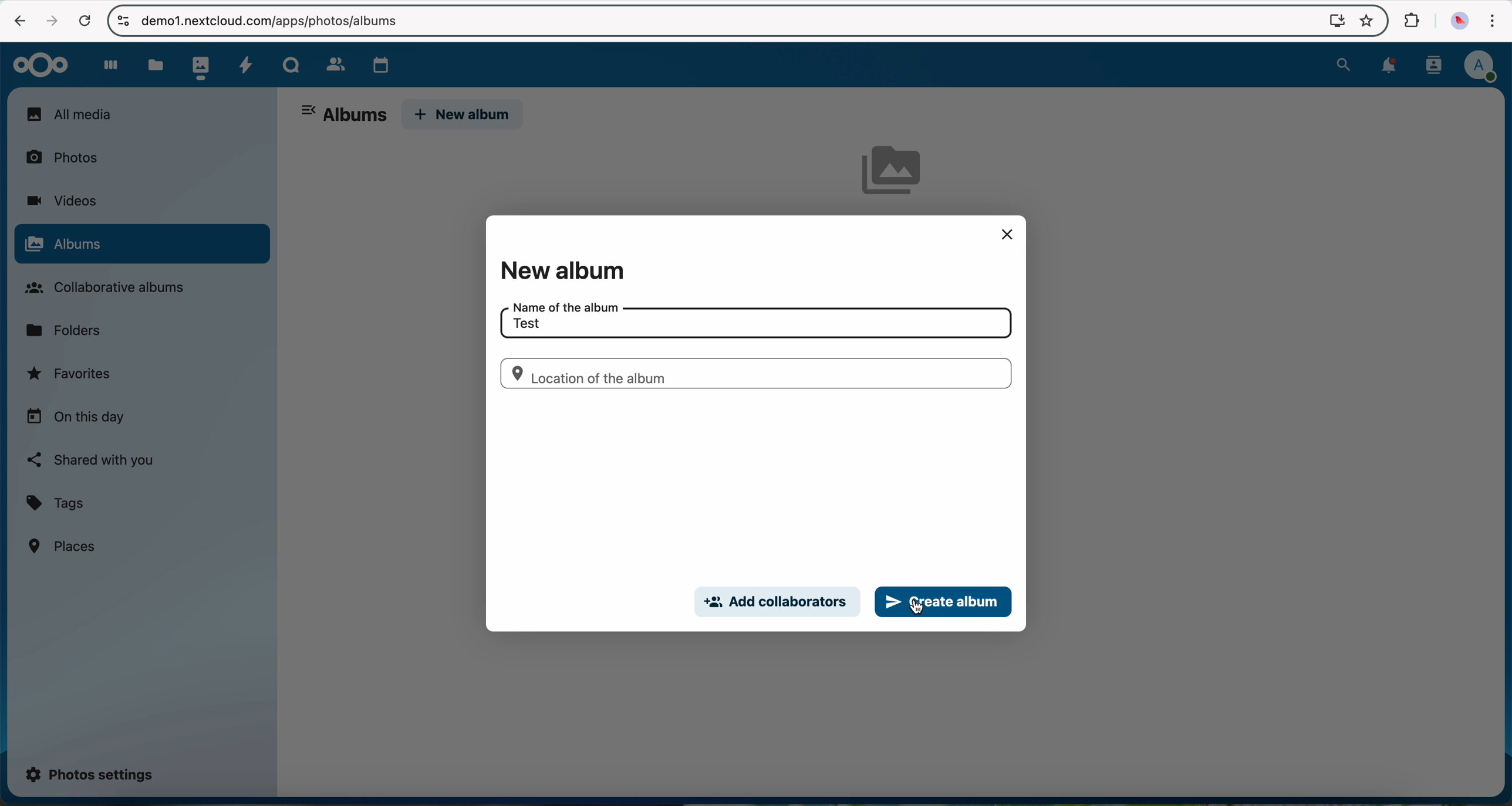  What do you see at coordinates (568, 268) in the screenshot?
I see `New album` at bounding box center [568, 268].